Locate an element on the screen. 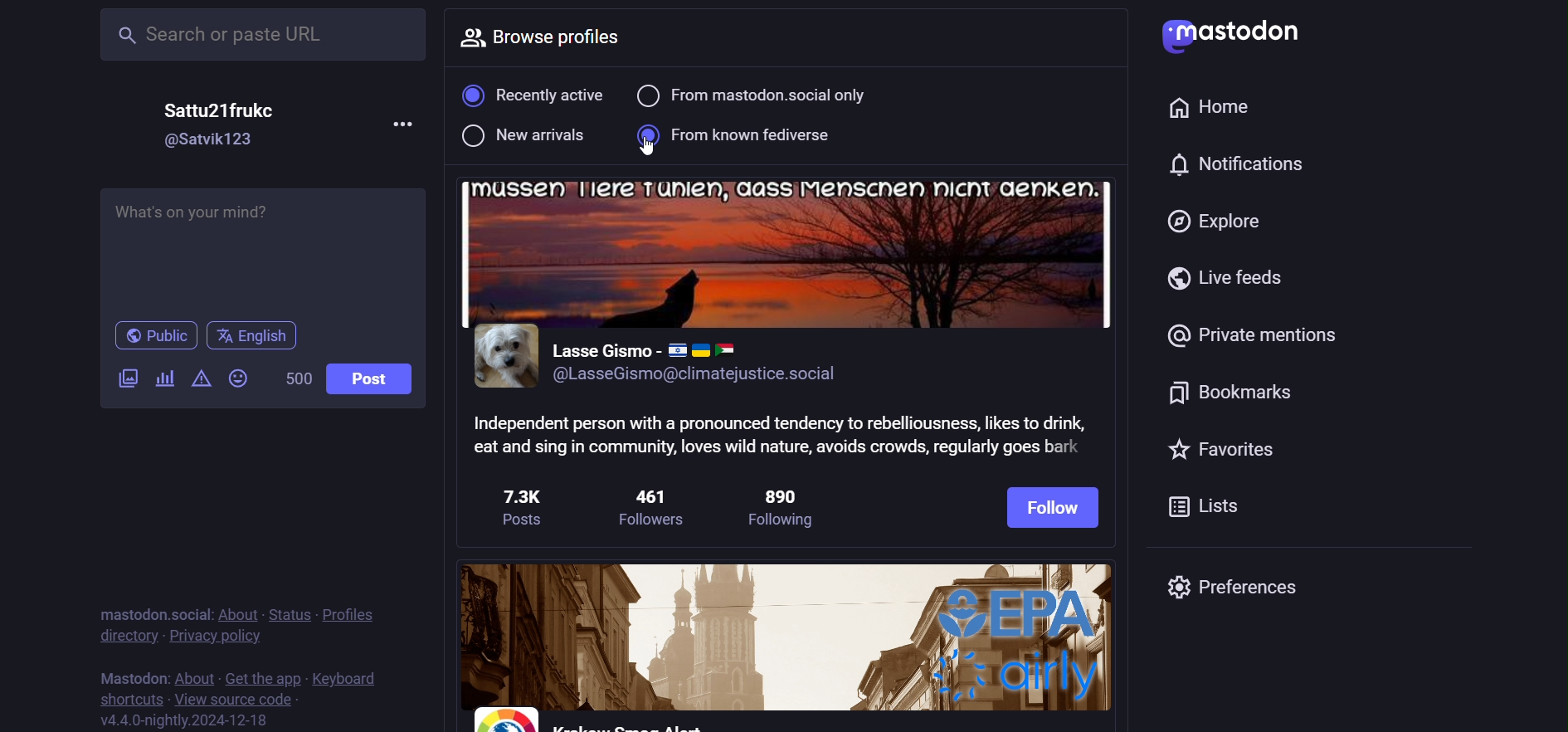 The image size is (1568, 732). What's on your mind? is located at coordinates (258, 248).